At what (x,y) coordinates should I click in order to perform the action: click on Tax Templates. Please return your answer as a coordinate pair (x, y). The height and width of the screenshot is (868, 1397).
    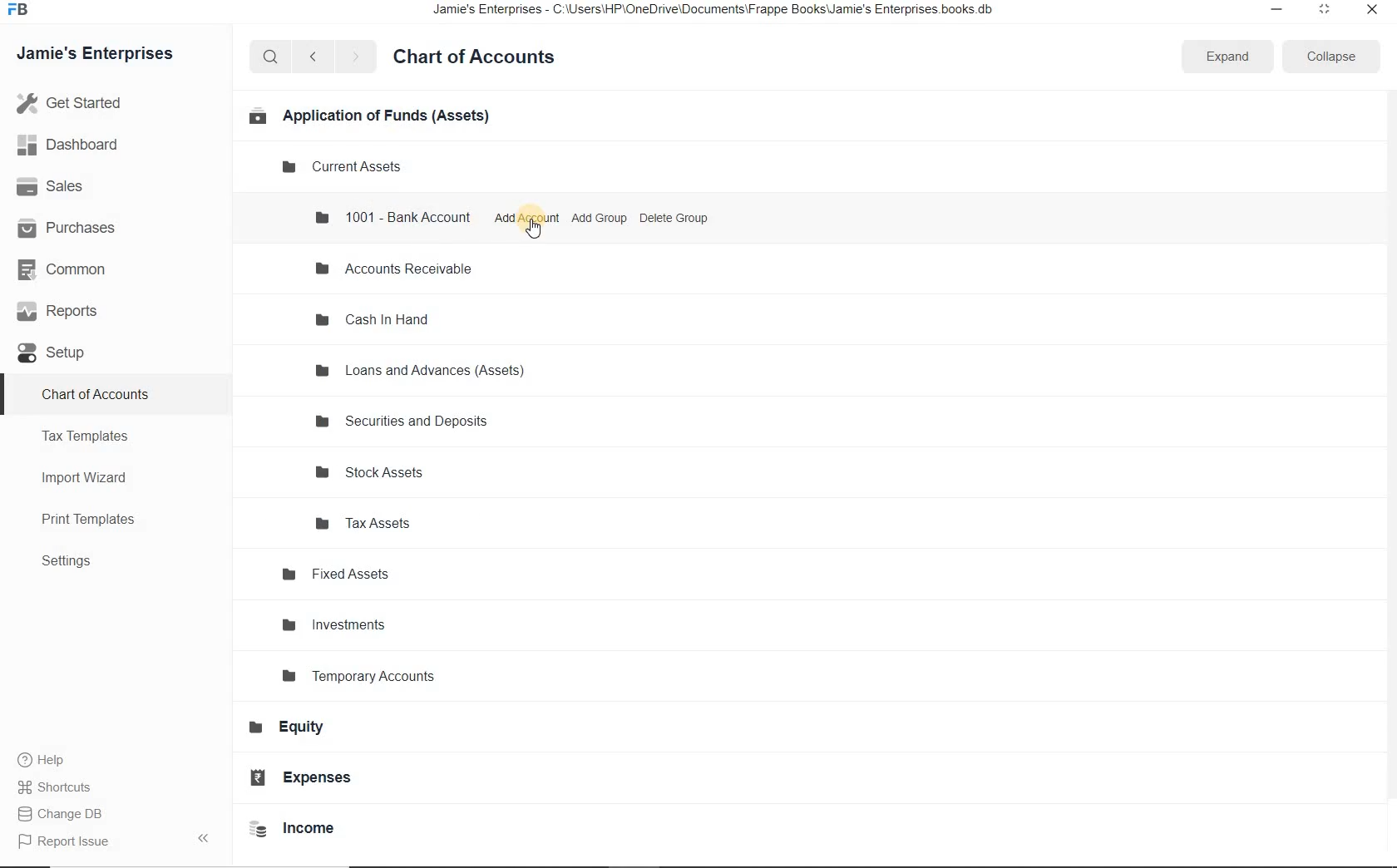
    Looking at the image, I should click on (91, 436).